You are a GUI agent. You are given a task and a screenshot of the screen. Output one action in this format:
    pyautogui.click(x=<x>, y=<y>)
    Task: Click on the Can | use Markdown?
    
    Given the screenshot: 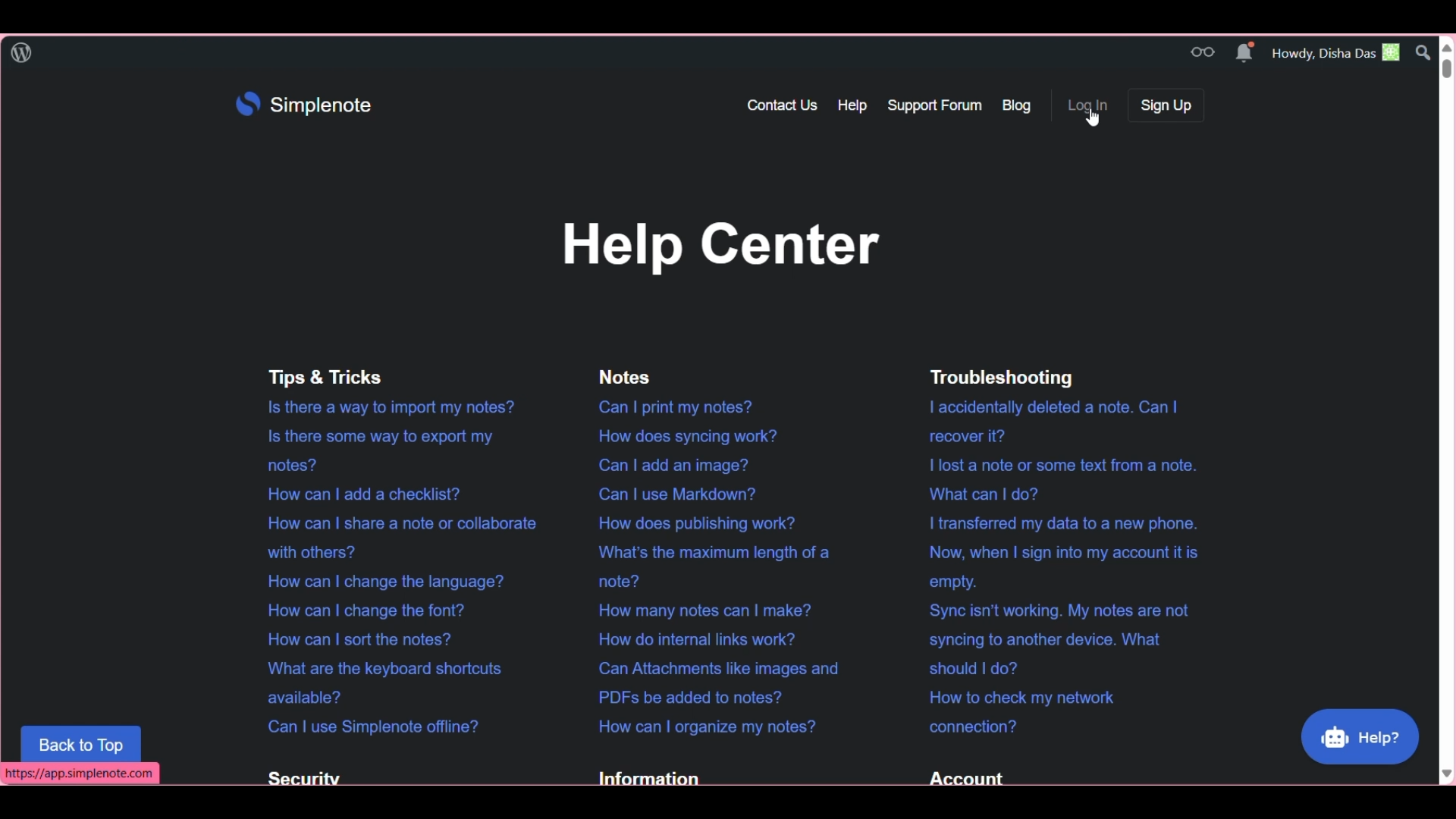 What is the action you would take?
    pyautogui.click(x=683, y=493)
    